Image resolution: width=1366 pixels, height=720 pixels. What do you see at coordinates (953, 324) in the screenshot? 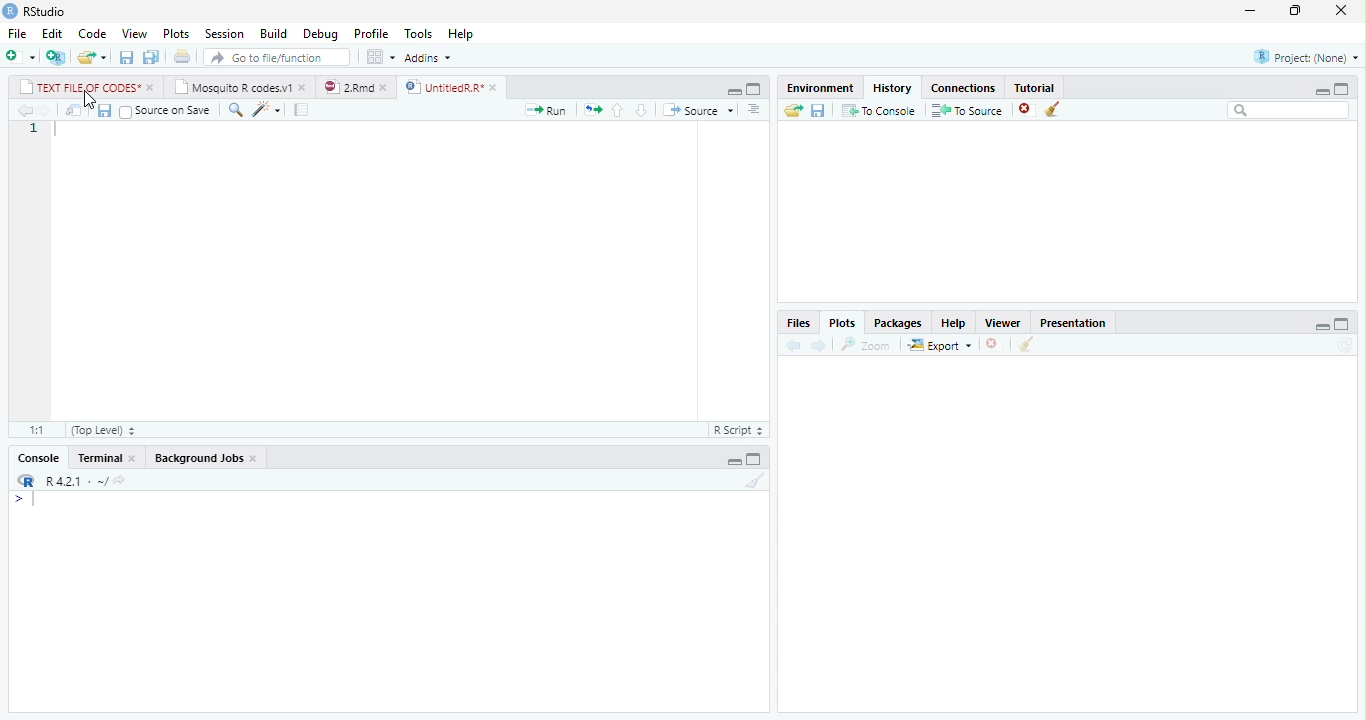
I see `Help` at bounding box center [953, 324].